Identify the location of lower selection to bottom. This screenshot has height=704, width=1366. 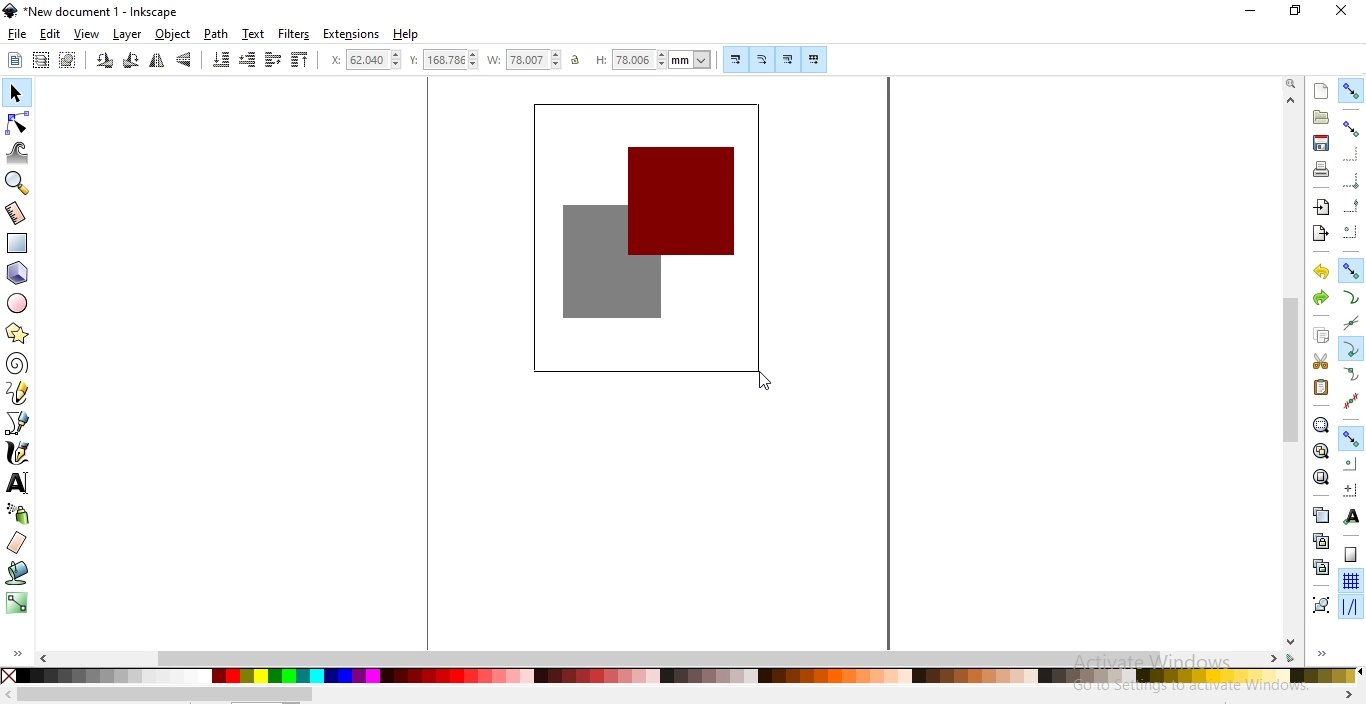
(219, 60).